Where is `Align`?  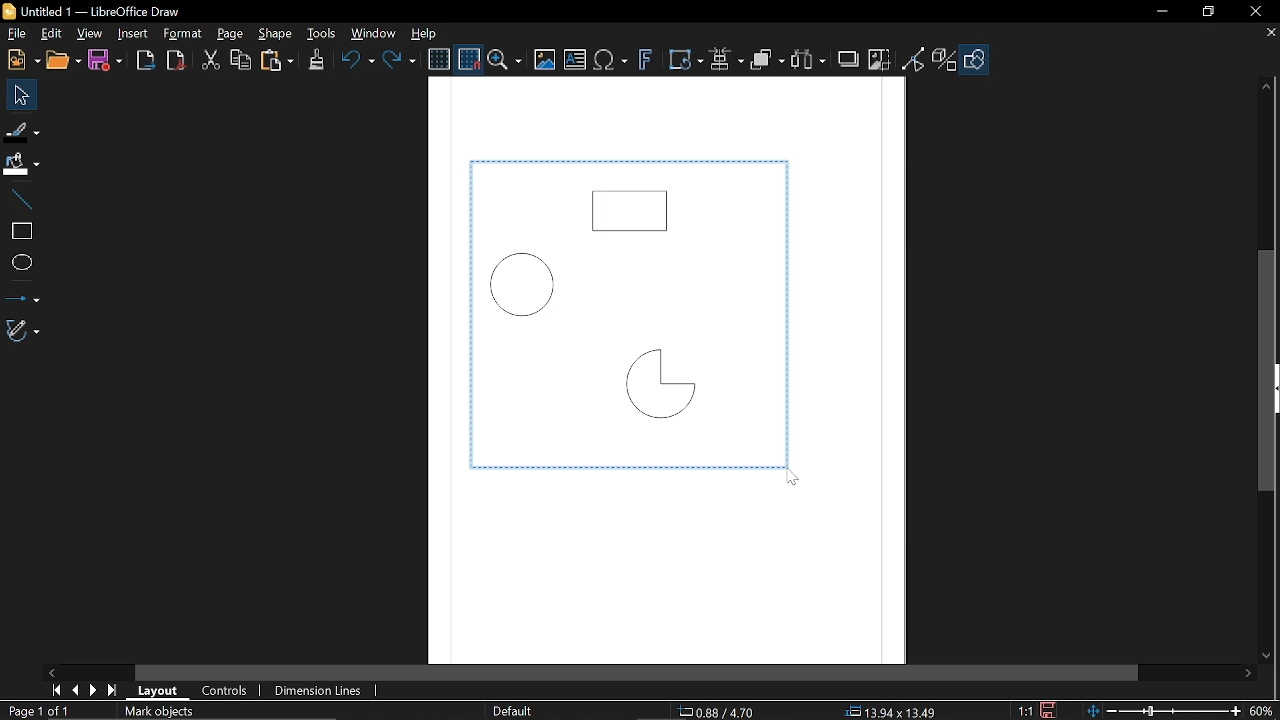 Align is located at coordinates (726, 60).